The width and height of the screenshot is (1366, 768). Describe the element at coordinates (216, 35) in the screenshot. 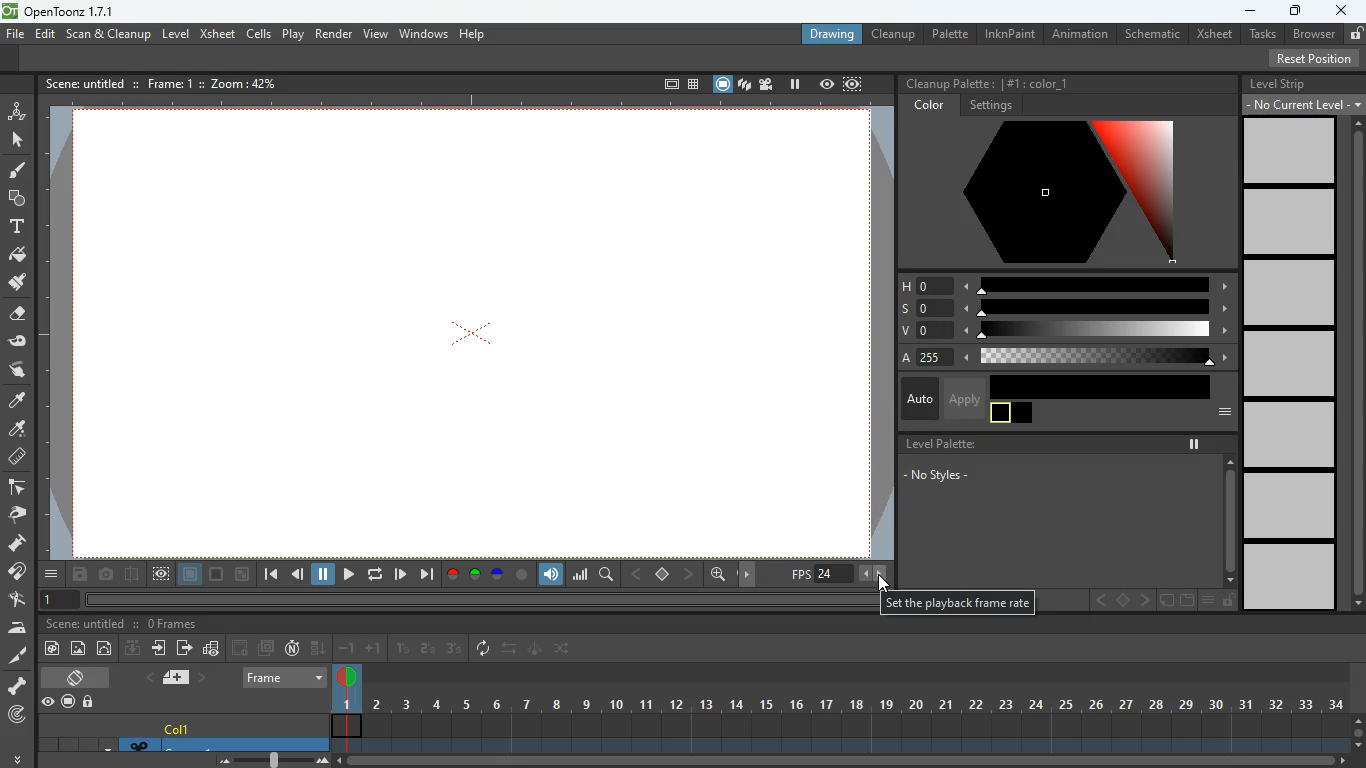

I see `xsheet` at that location.